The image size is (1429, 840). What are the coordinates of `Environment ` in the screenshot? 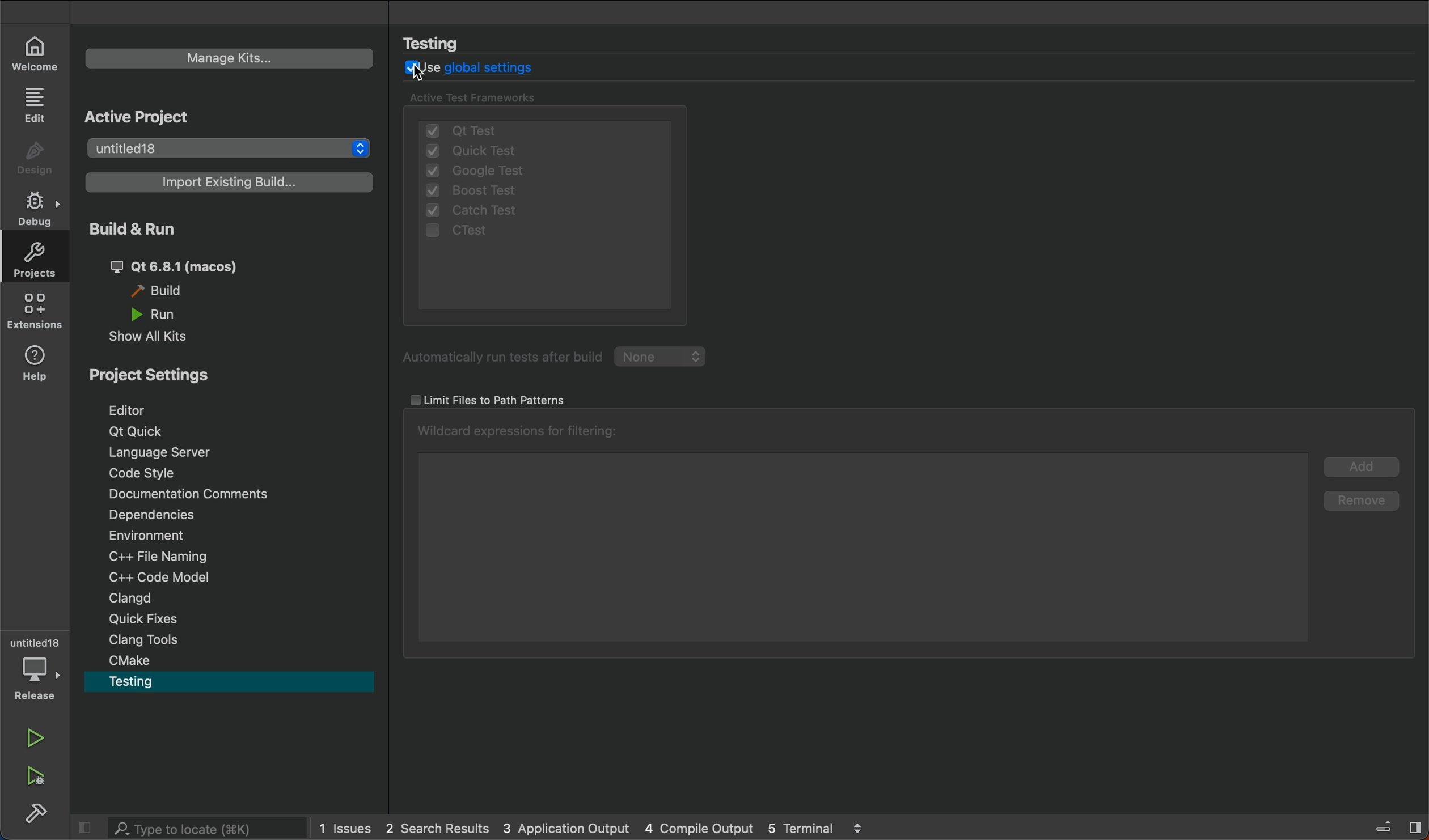 It's located at (233, 538).